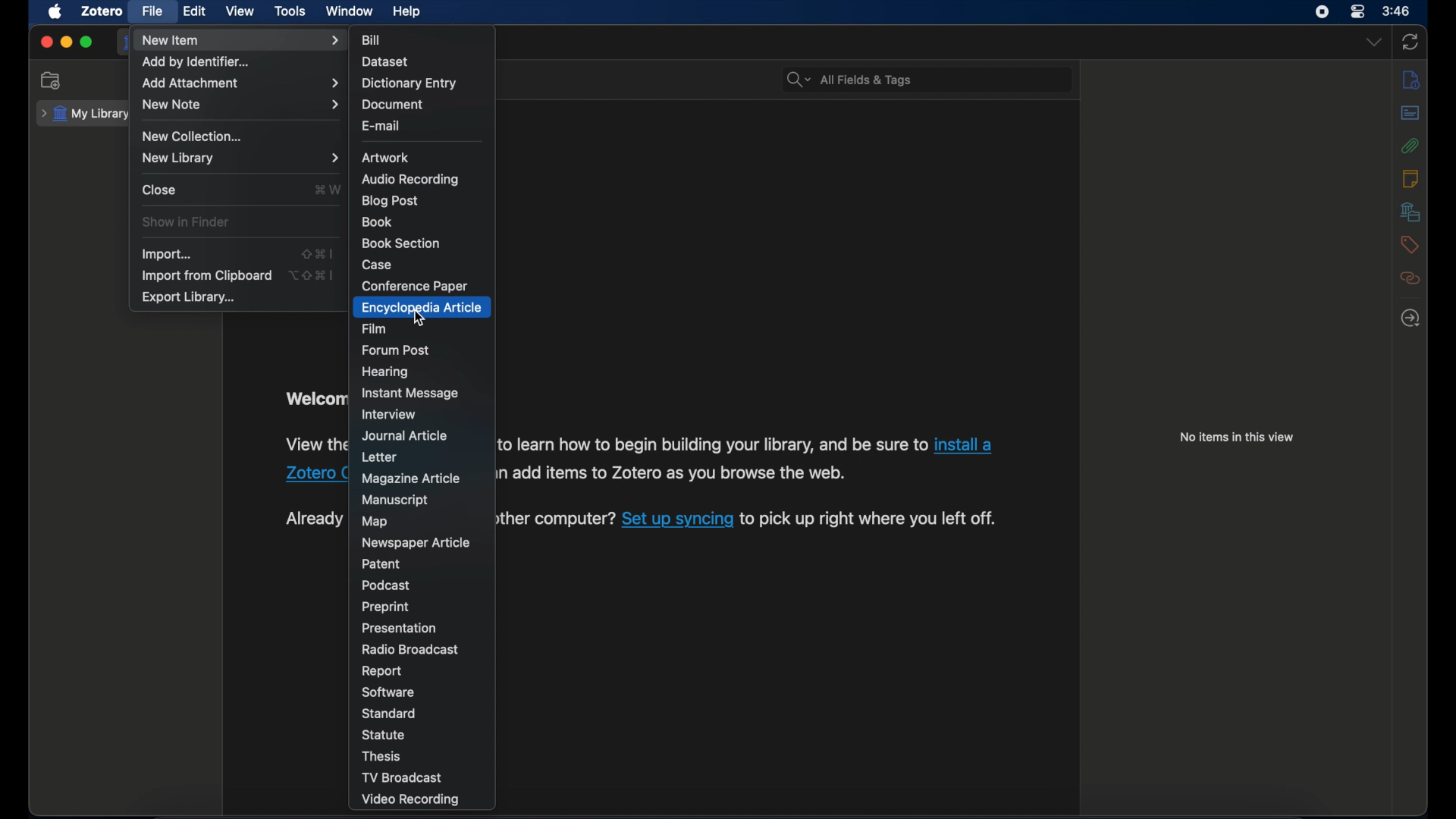 This screenshot has height=819, width=1456. What do you see at coordinates (381, 126) in the screenshot?
I see `e-mail` at bounding box center [381, 126].